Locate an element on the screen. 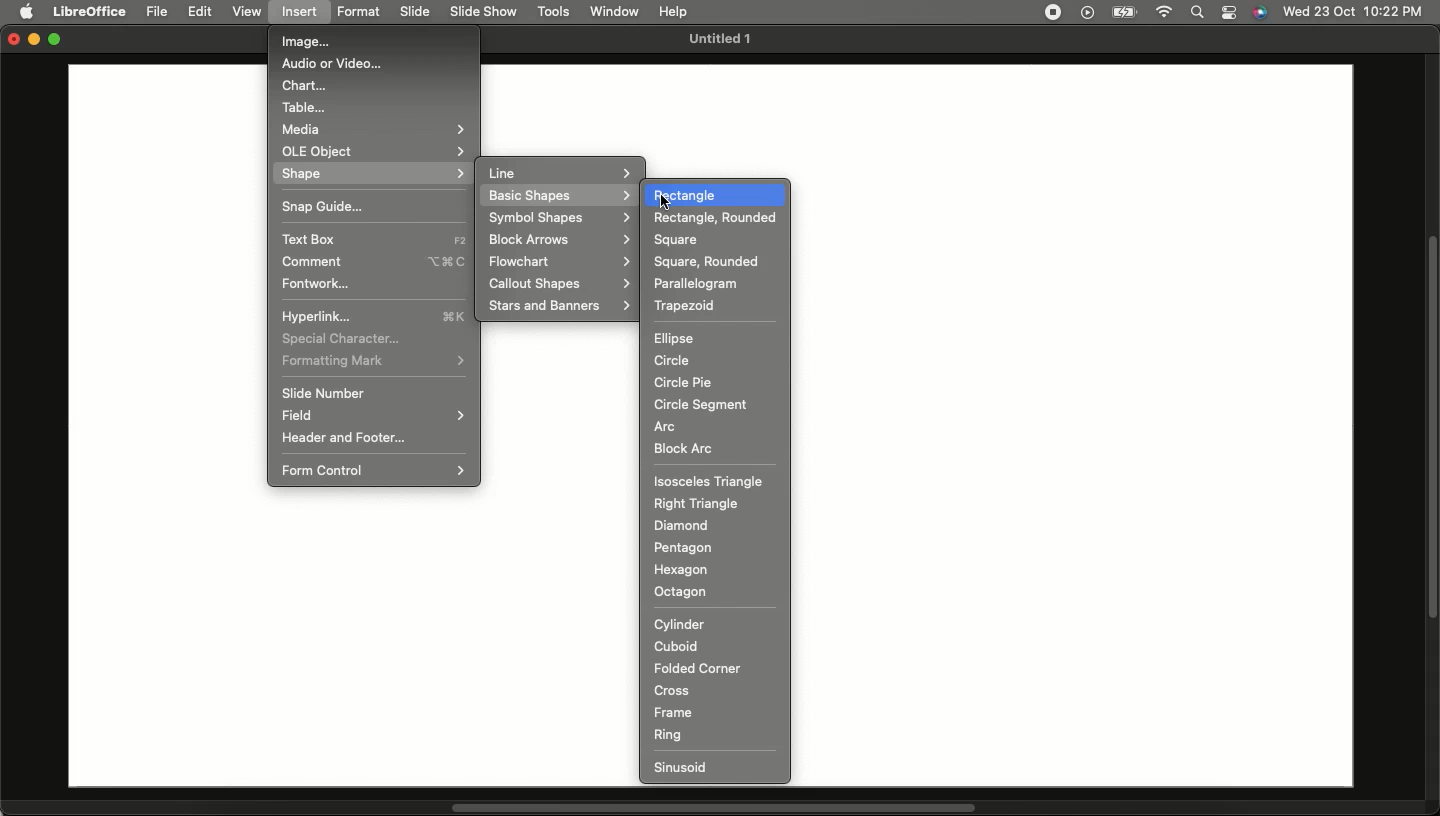 The image size is (1440, 816). Arc is located at coordinates (665, 426).